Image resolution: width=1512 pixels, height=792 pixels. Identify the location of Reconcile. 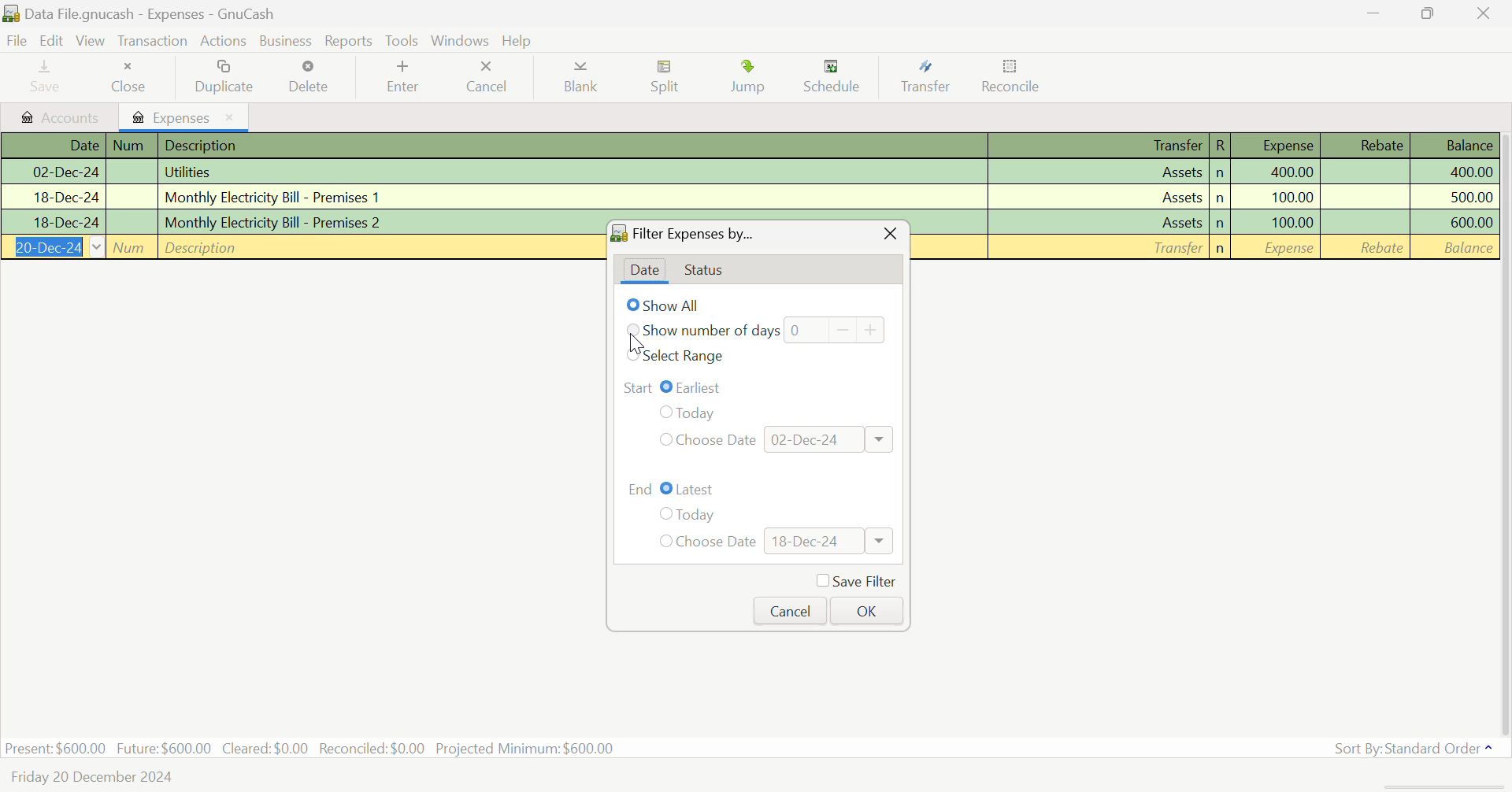
(1014, 80).